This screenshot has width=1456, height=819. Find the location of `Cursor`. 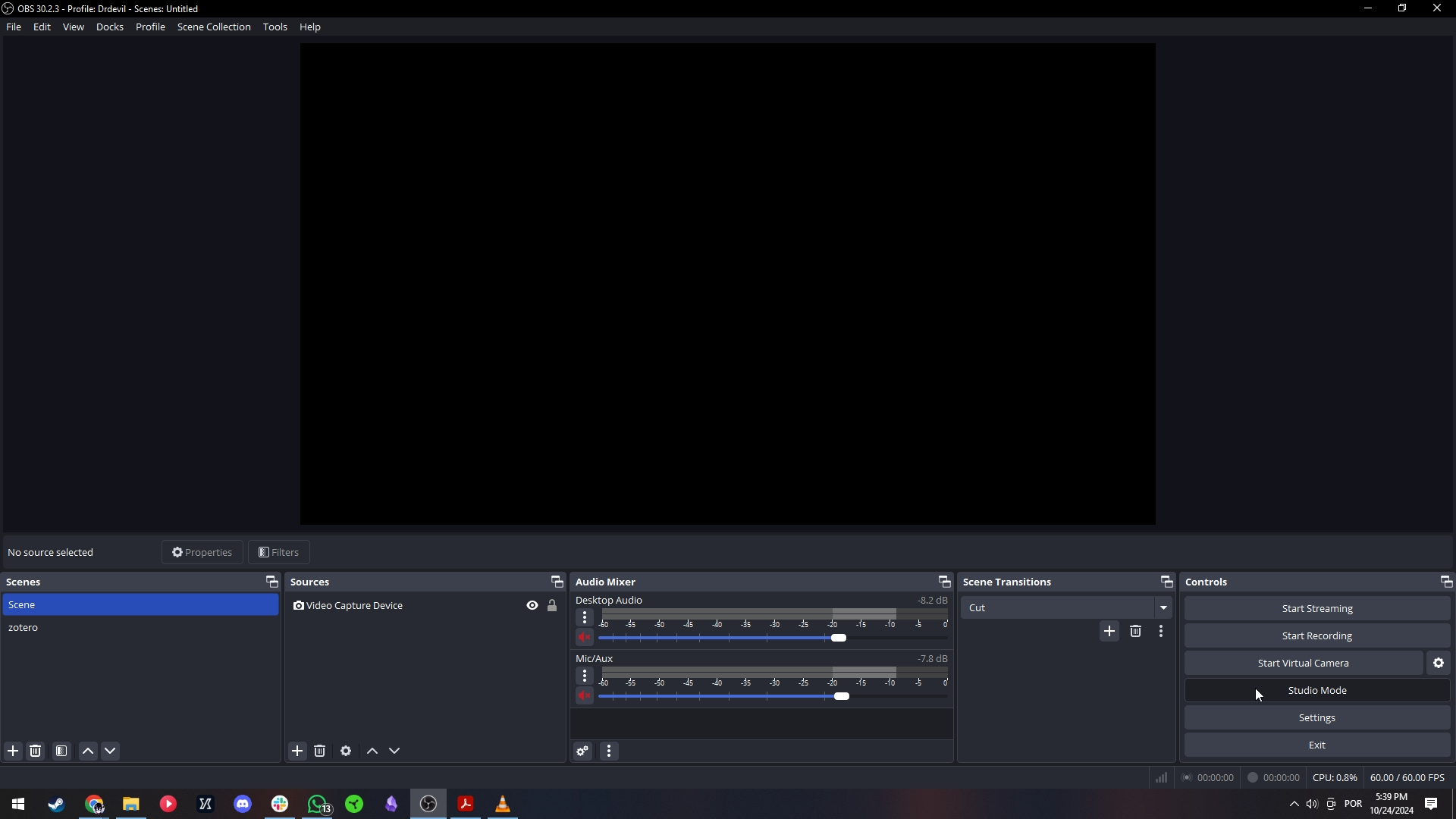

Cursor is located at coordinates (1263, 699).